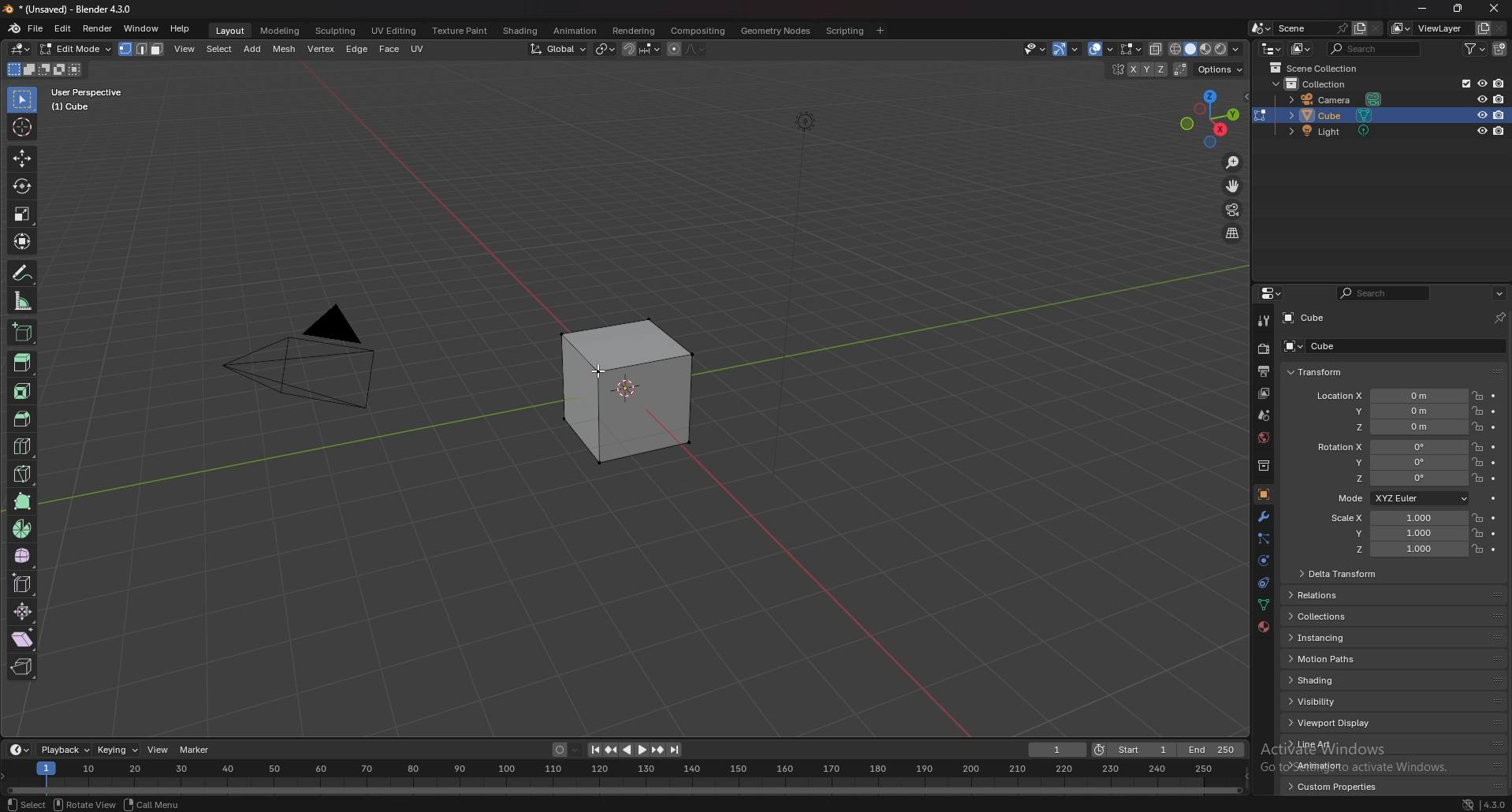 The height and width of the screenshot is (812, 1512). Describe the element at coordinates (1494, 518) in the screenshot. I see `animate property` at that location.